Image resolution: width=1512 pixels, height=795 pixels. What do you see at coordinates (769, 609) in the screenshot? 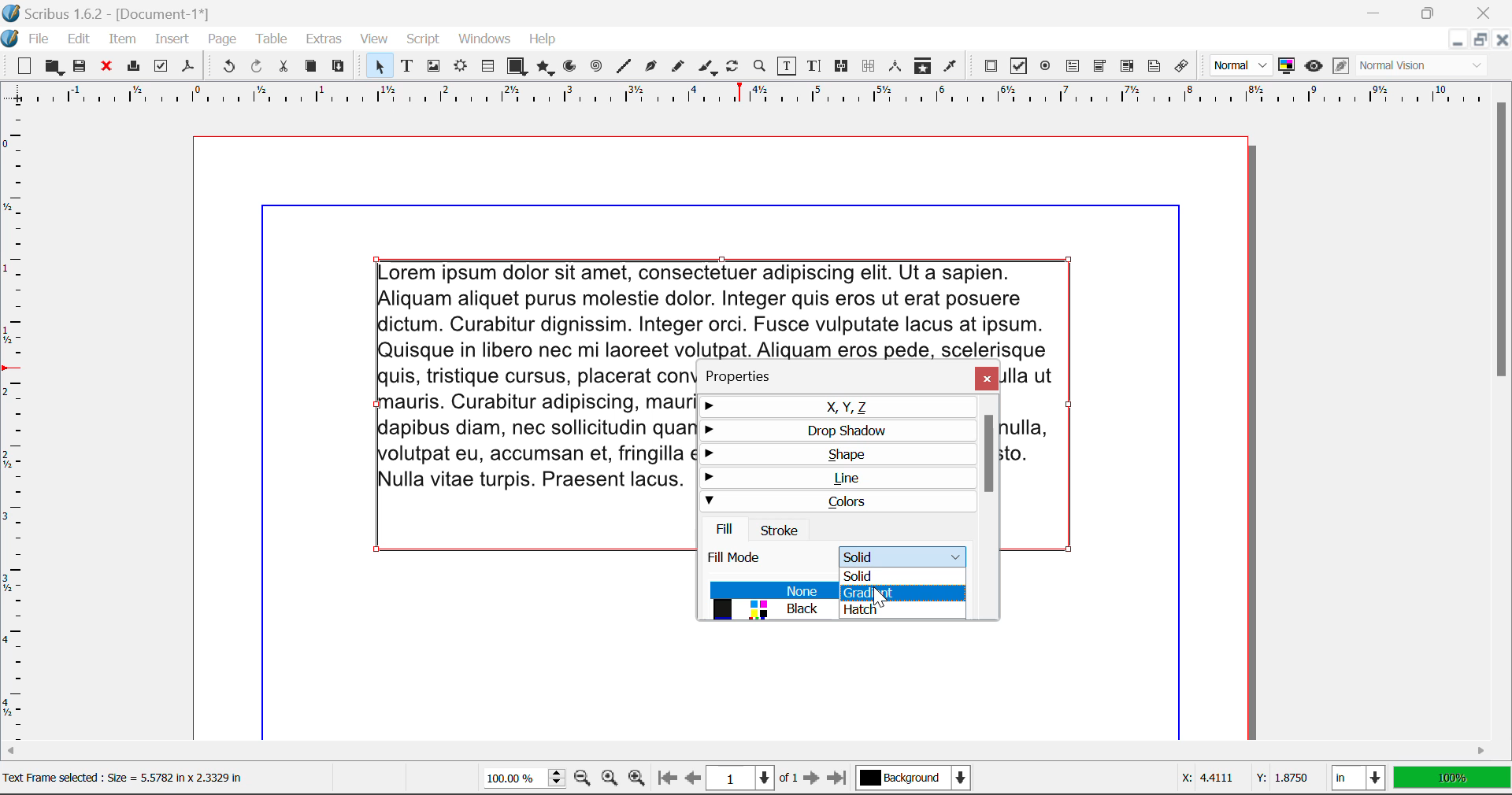
I see `Black` at bounding box center [769, 609].